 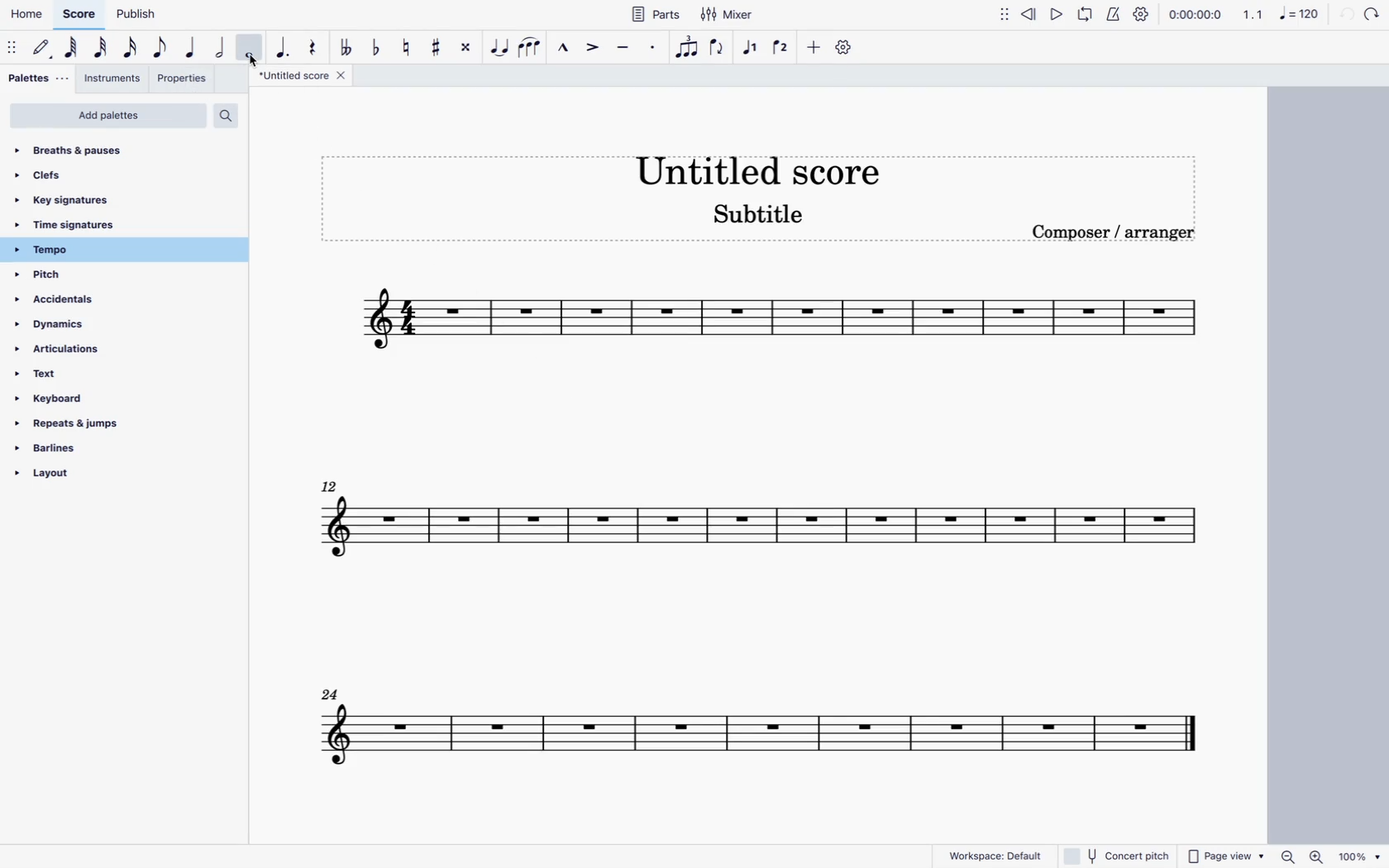 What do you see at coordinates (84, 377) in the screenshot?
I see `text` at bounding box center [84, 377].